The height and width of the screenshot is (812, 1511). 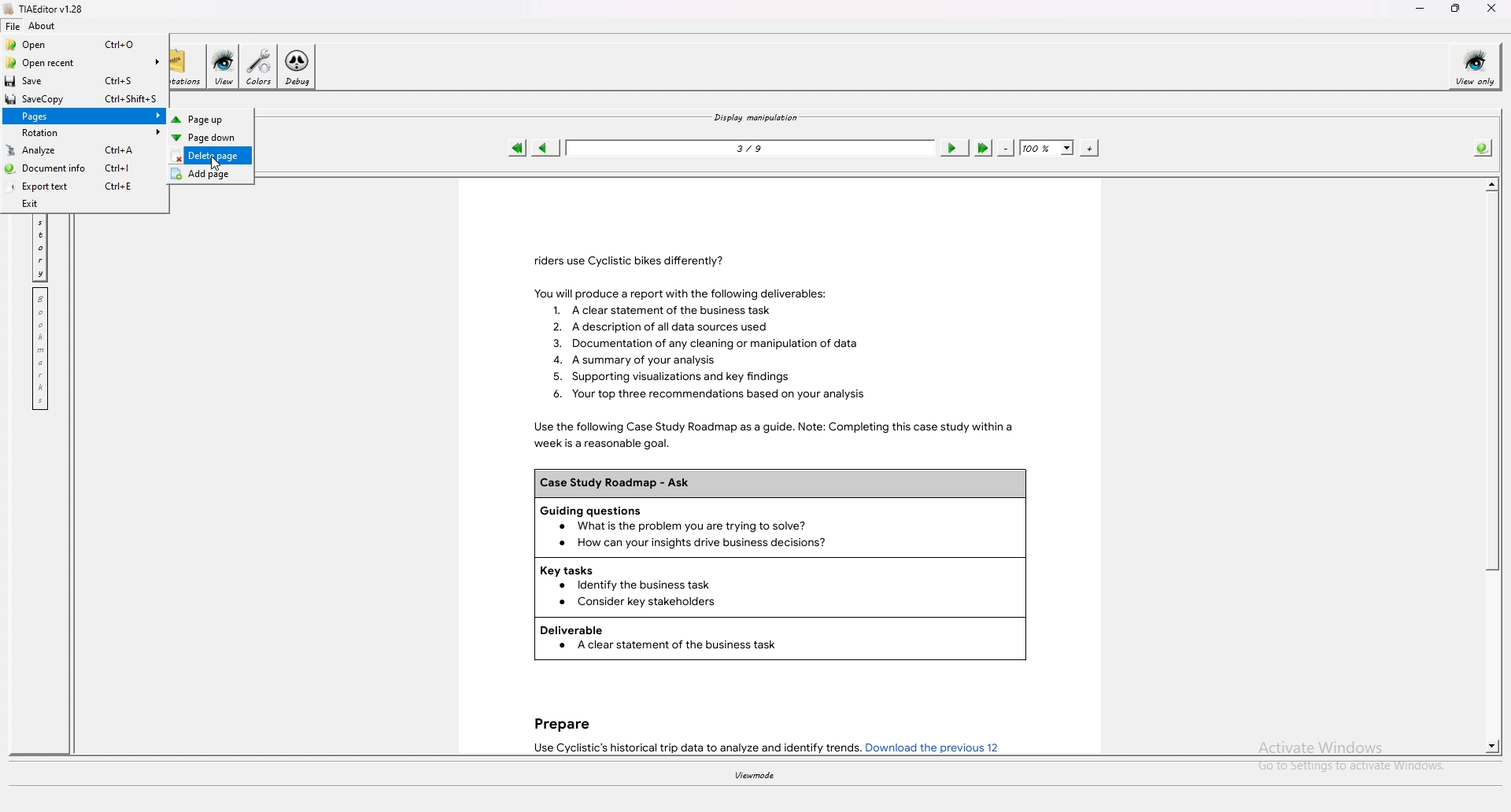 What do you see at coordinates (561, 721) in the screenshot?
I see `Prepare` at bounding box center [561, 721].